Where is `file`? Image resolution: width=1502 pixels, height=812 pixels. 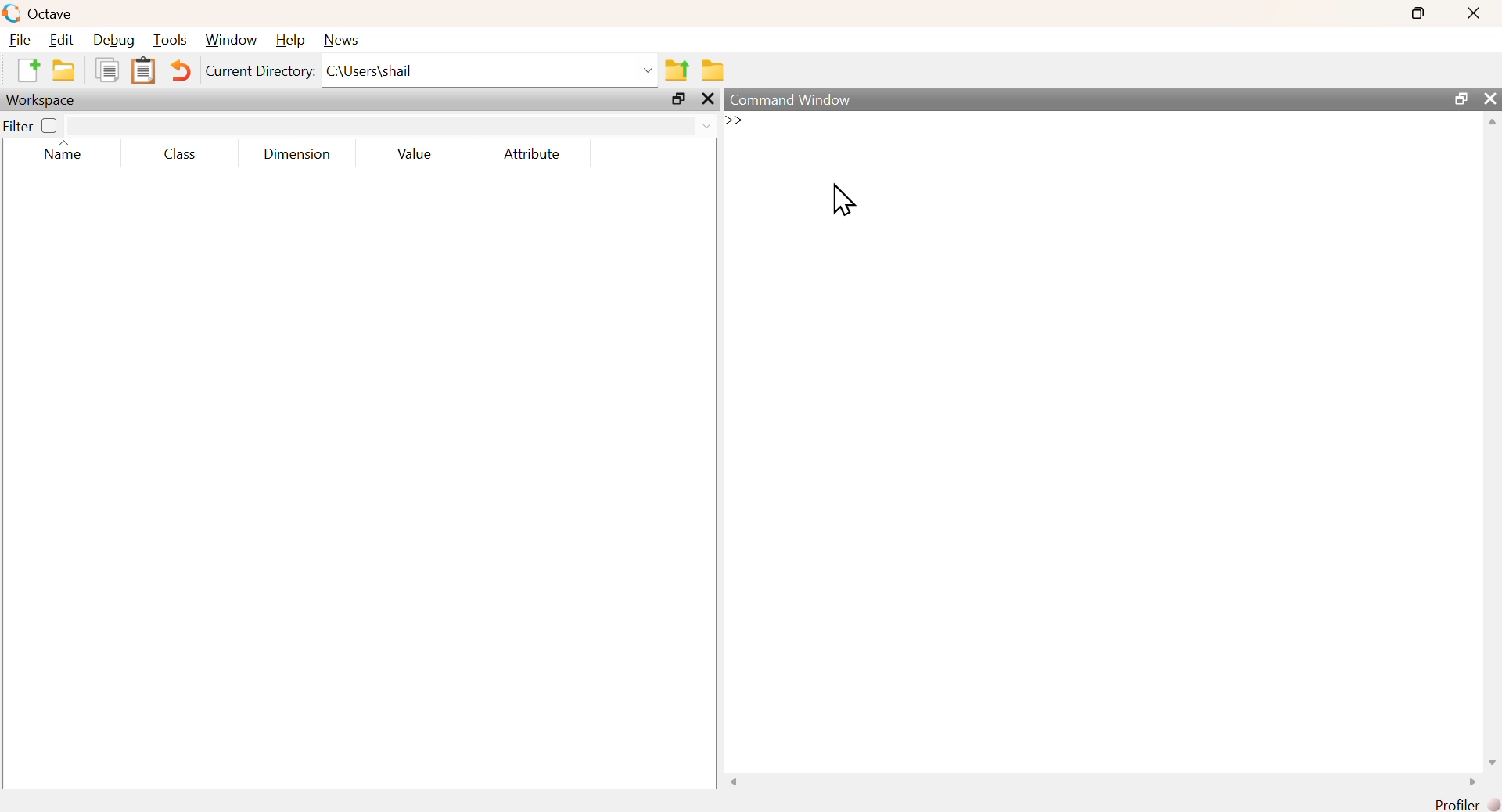
file is located at coordinates (21, 40).